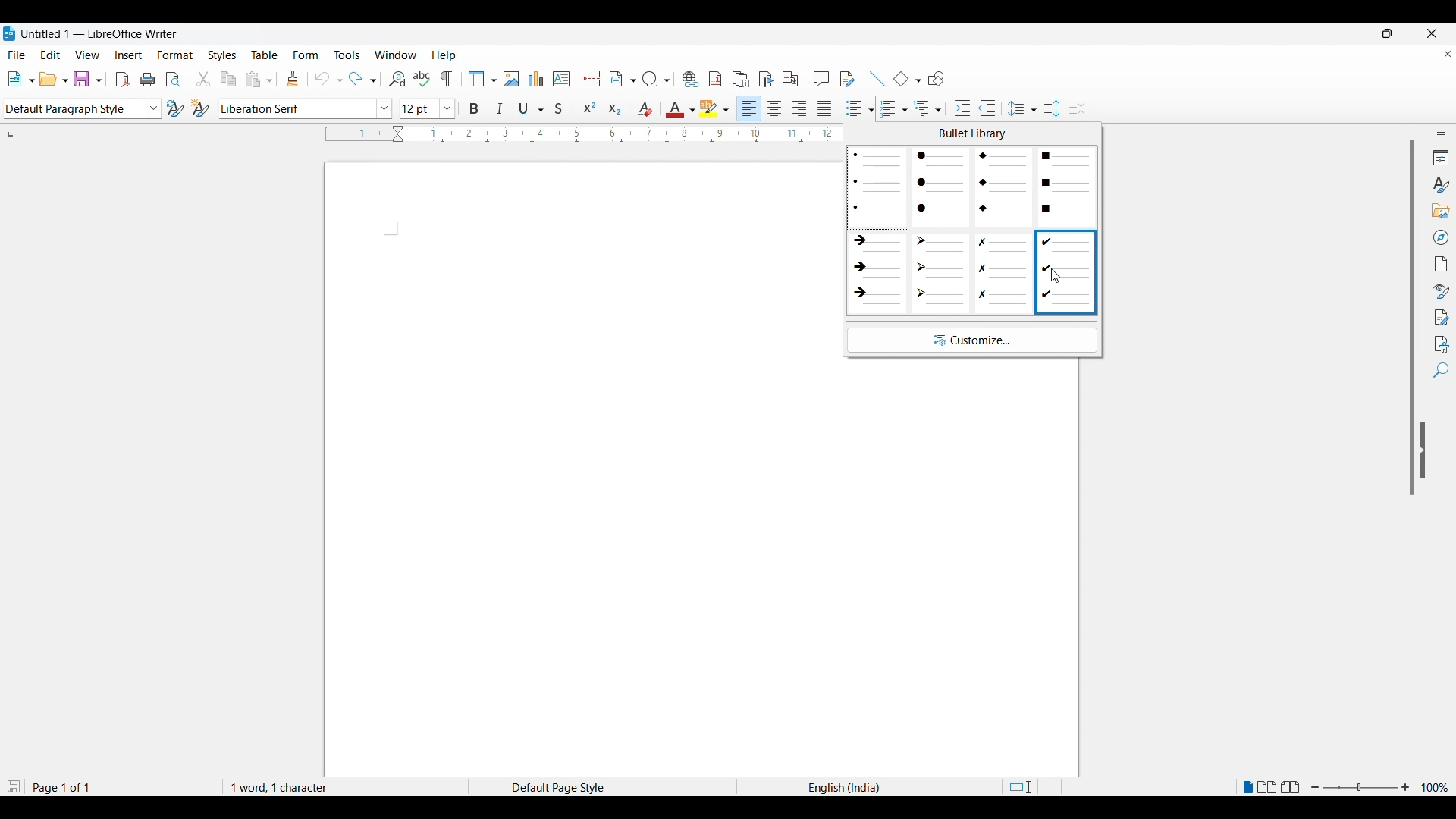  Describe the element at coordinates (679, 108) in the screenshot. I see `color for font` at that location.